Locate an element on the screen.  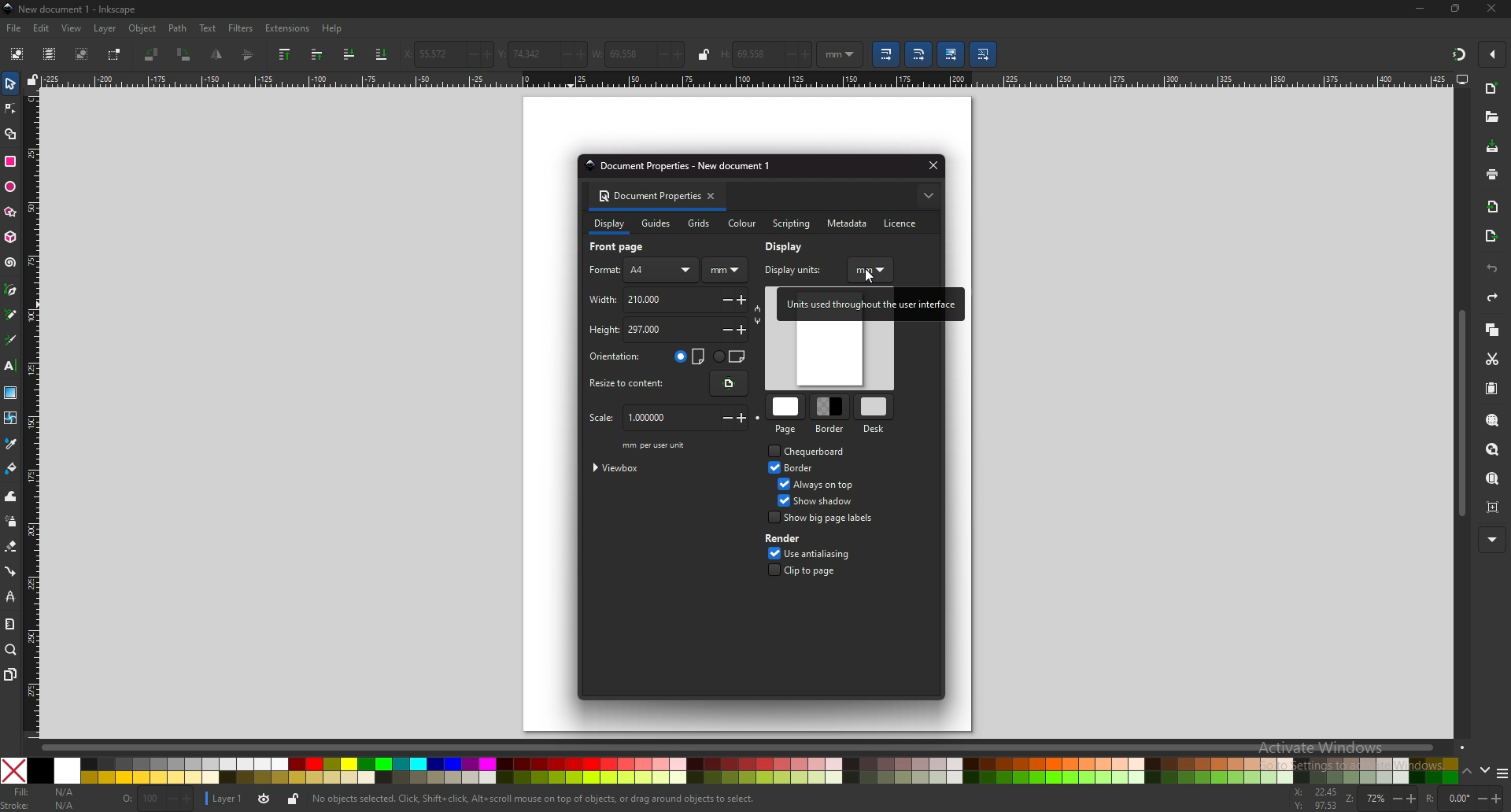
- is located at coordinates (725, 299).